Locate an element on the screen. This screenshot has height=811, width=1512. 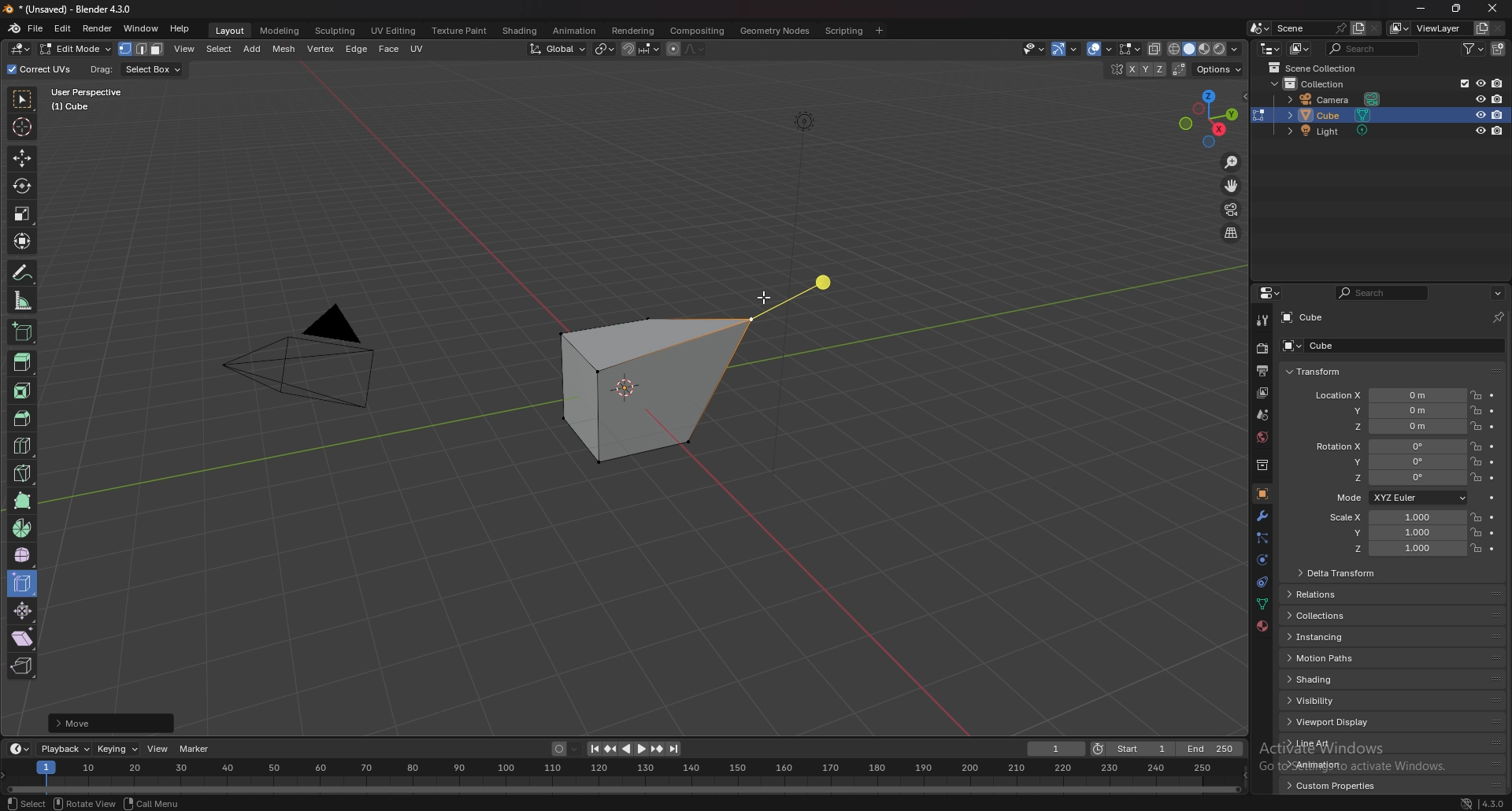
help is located at coordinates (180, 30).